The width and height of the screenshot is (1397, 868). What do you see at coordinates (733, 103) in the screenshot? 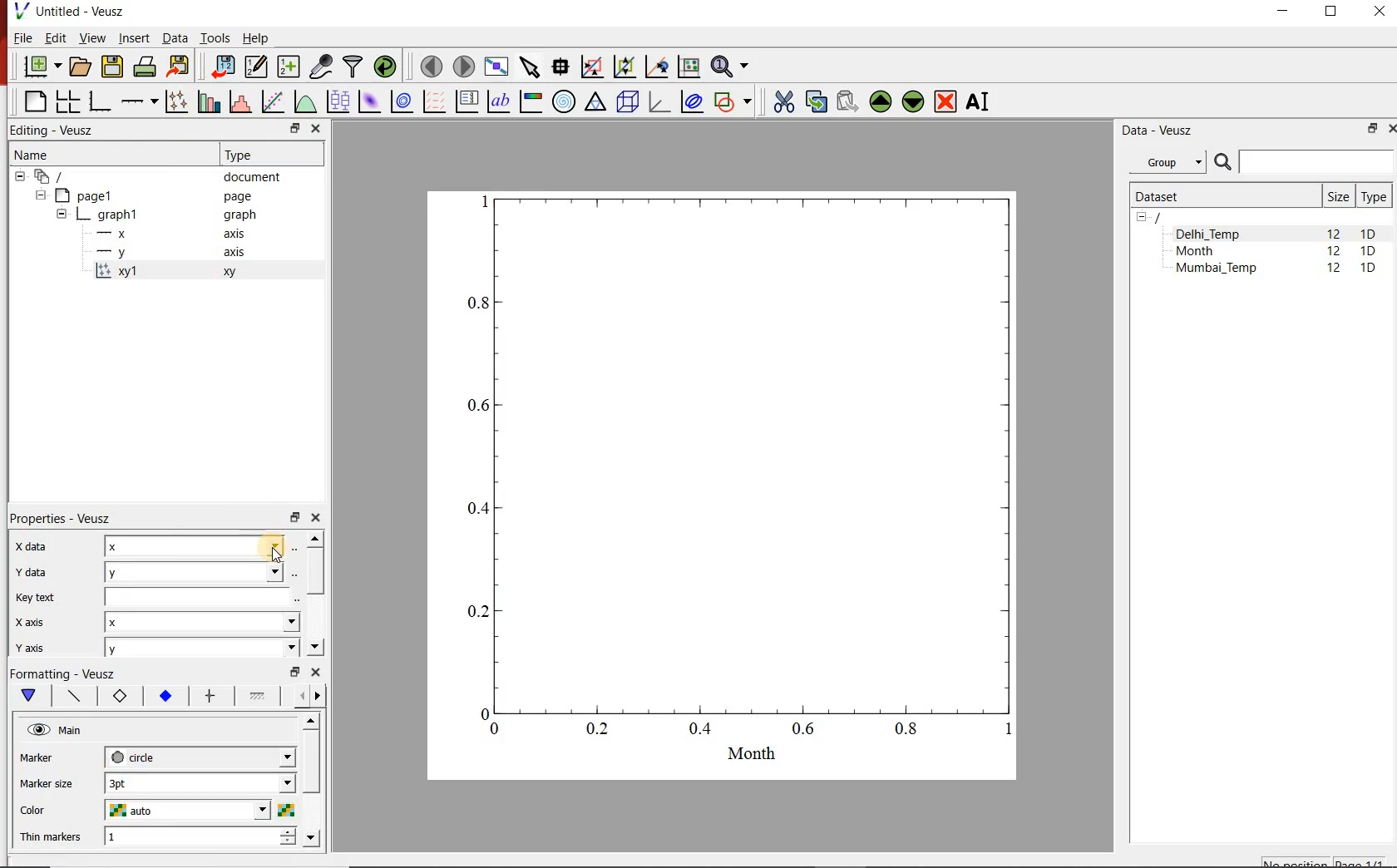
I see `add a shape to the plot` at bounding box center [733, 103].